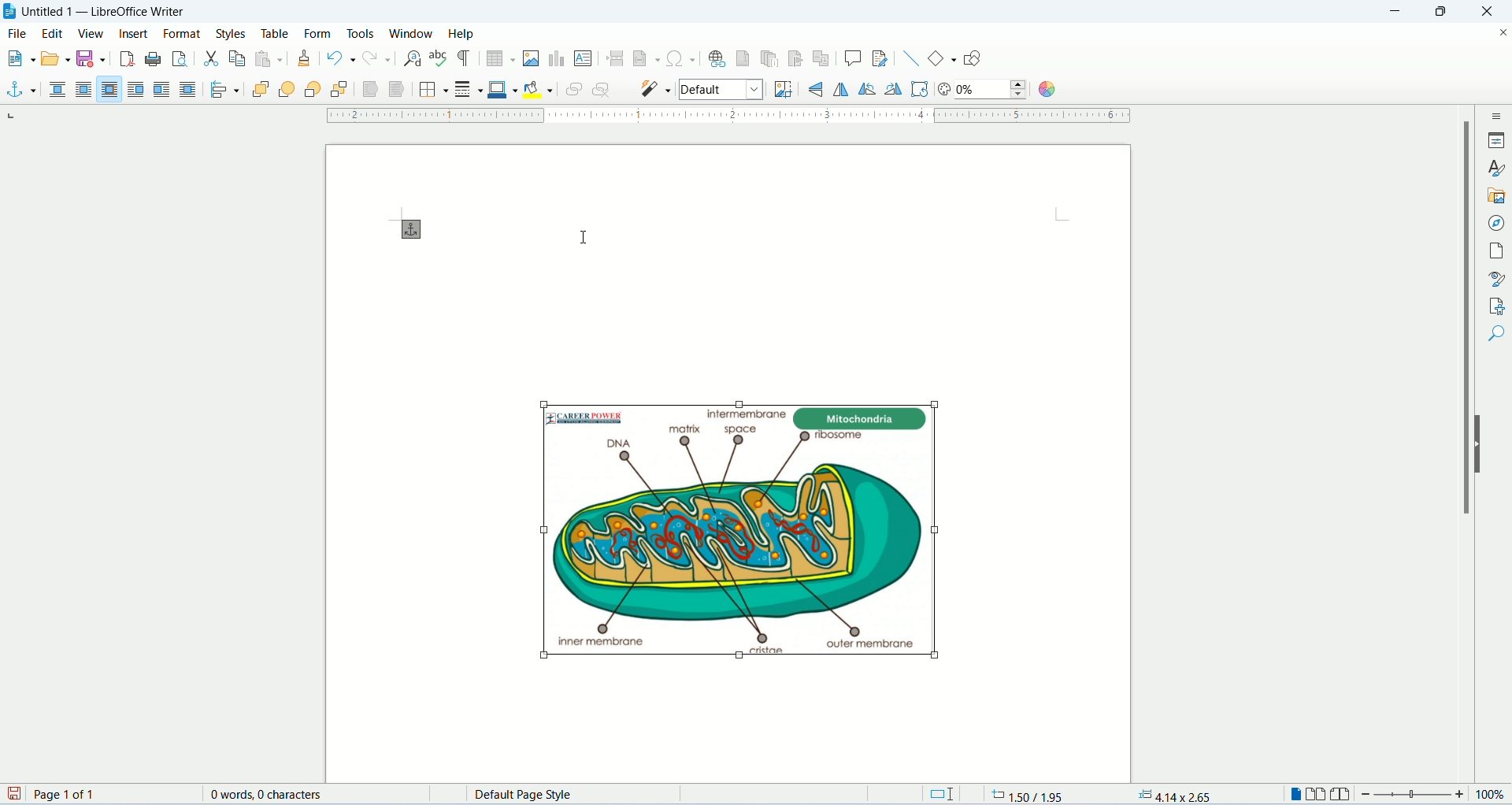  I want to click on find and replace, so click(413, 59).